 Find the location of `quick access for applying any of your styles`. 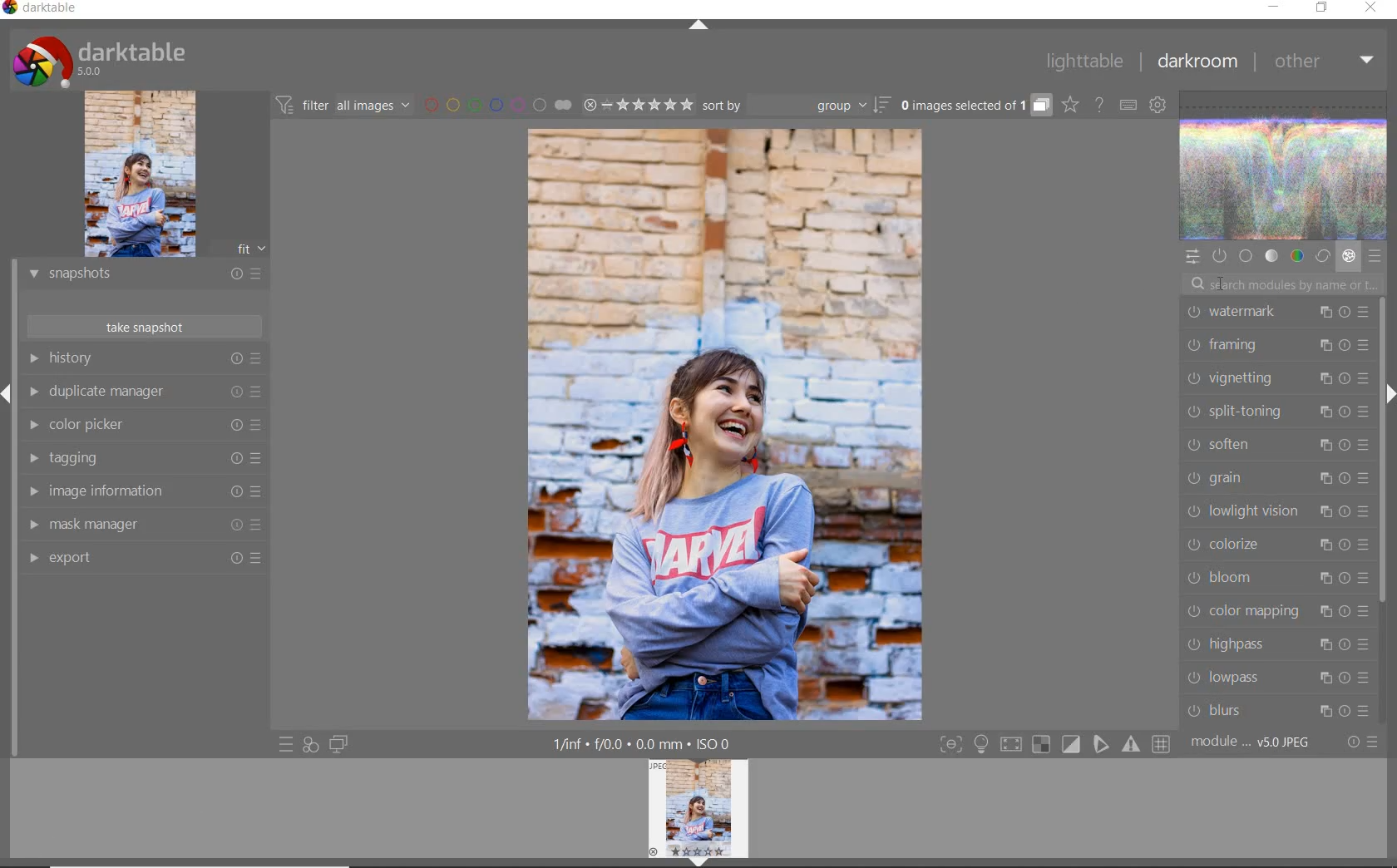

quick access for applying any of your styles is located at coordinates (311, 744).